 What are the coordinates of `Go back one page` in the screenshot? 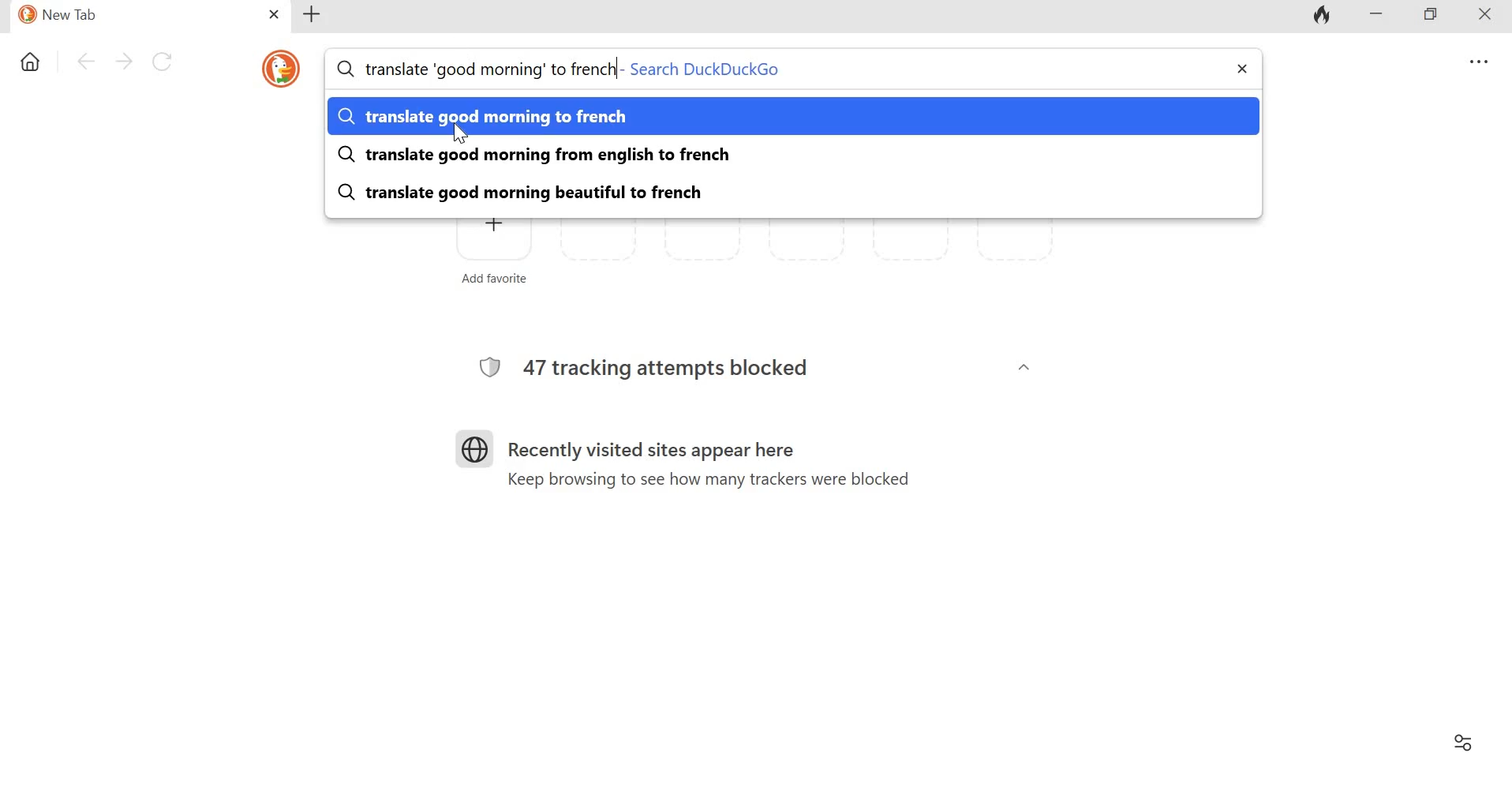 It's located at (82, 63).